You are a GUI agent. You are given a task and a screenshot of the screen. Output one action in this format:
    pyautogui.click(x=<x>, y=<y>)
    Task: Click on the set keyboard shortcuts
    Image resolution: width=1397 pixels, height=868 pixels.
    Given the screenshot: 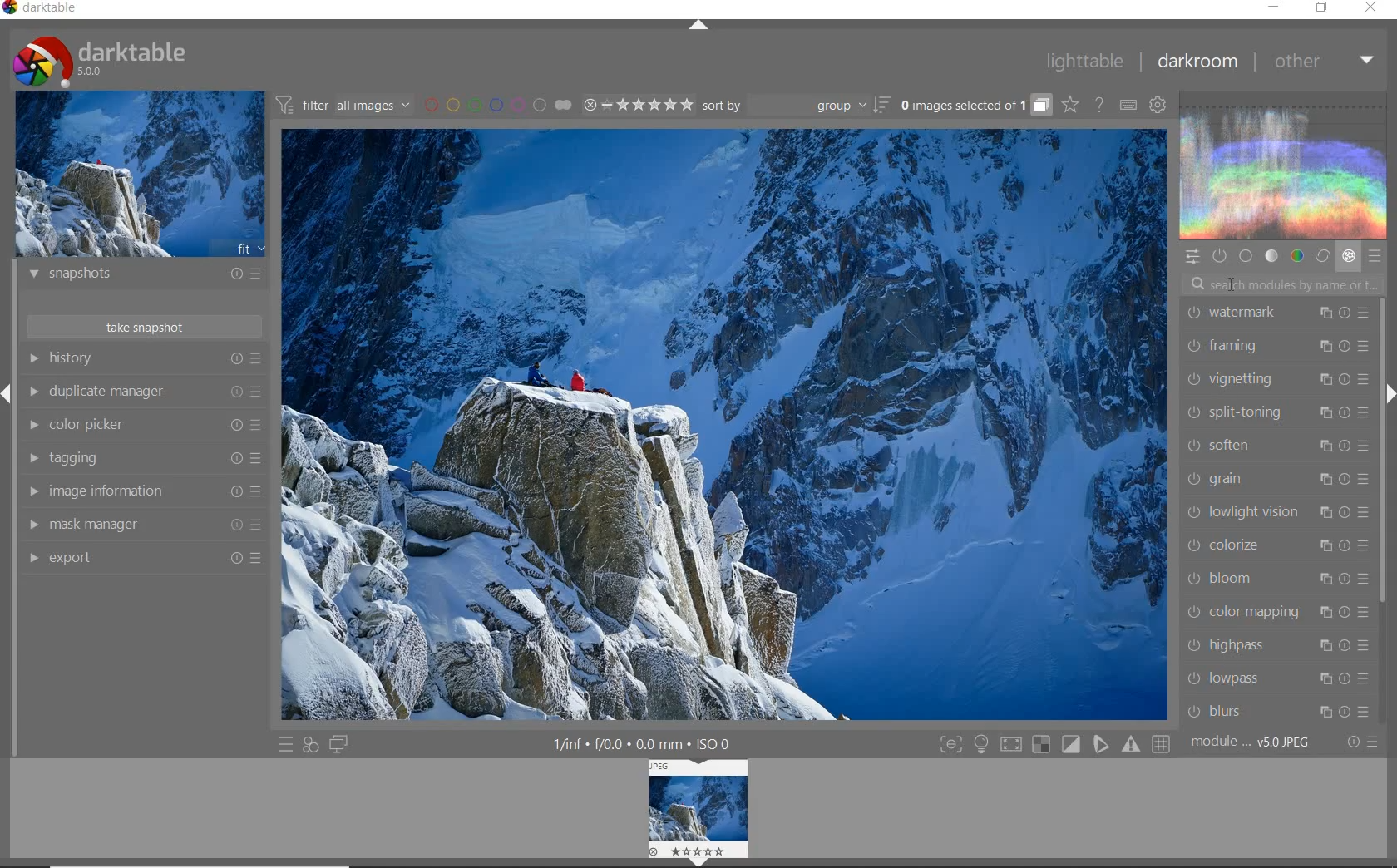 What is the action you would take?
    pyautogui.click(x=1128, y=105)
    